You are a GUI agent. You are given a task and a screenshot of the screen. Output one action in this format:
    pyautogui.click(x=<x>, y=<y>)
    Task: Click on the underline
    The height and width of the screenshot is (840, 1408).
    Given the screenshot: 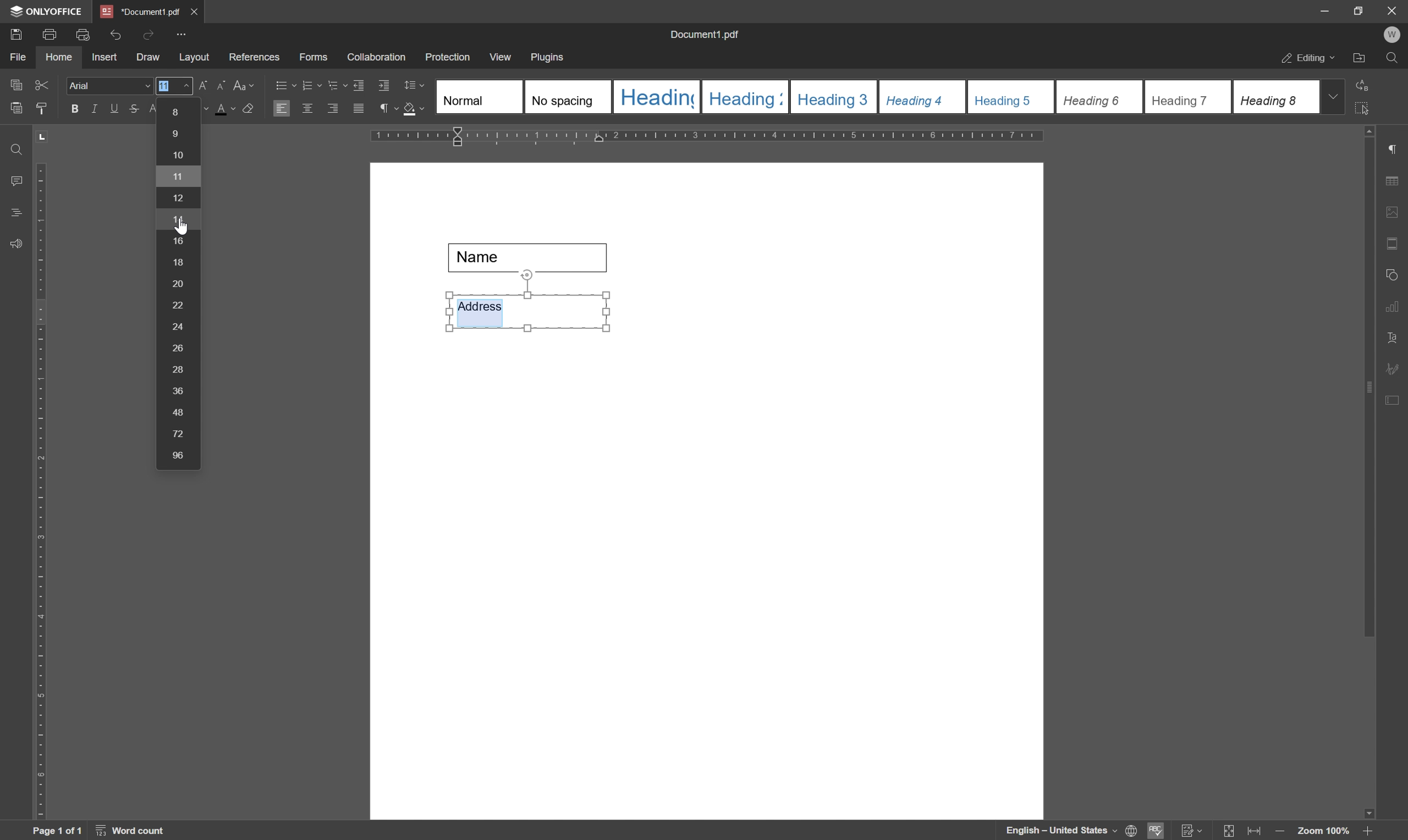 What is the action you would take?
    pyautogui.click(x=114, y=108)
    